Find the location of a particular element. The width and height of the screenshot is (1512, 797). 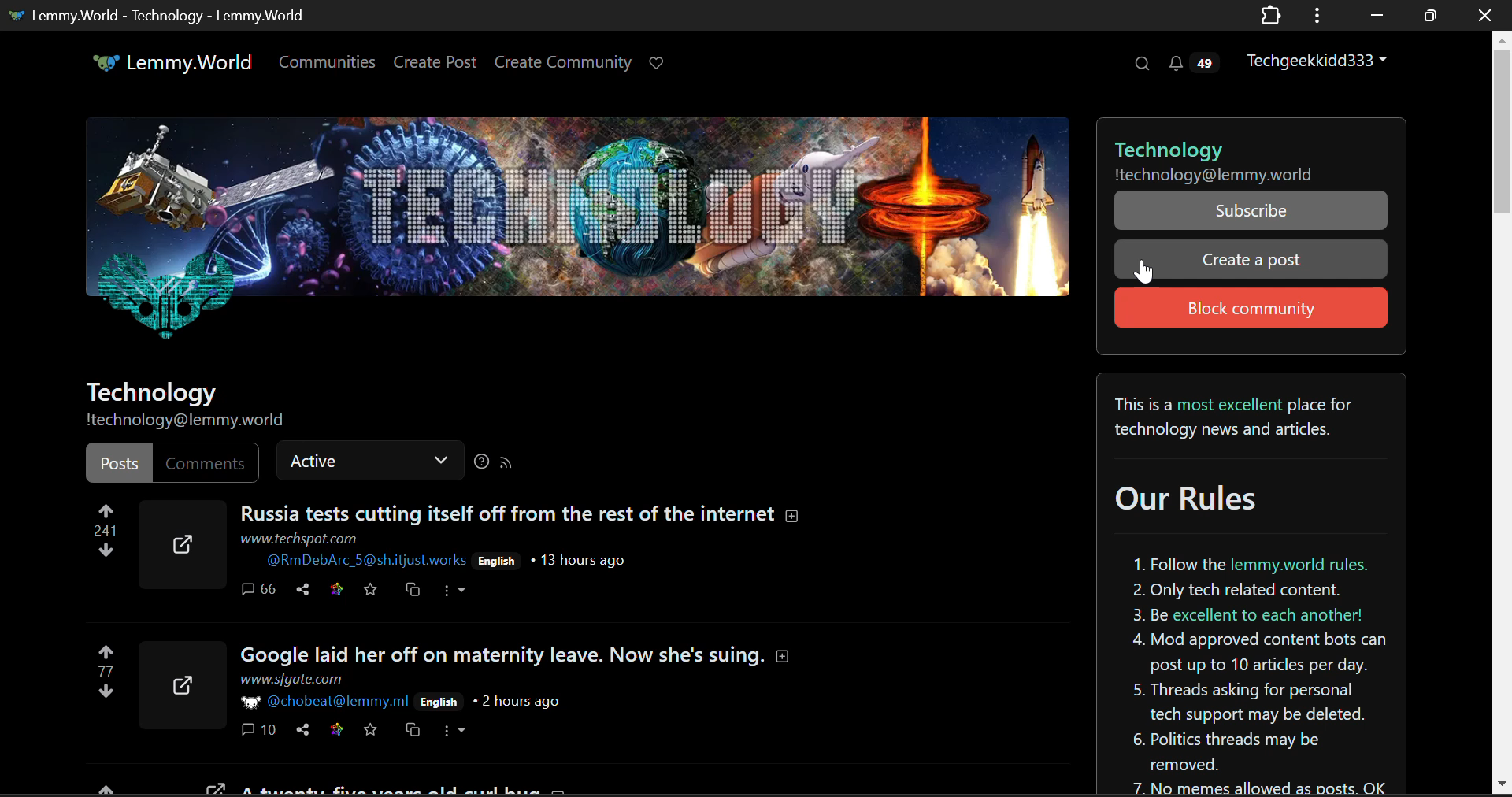

13 hours ago is located at coordinates (577, 561).